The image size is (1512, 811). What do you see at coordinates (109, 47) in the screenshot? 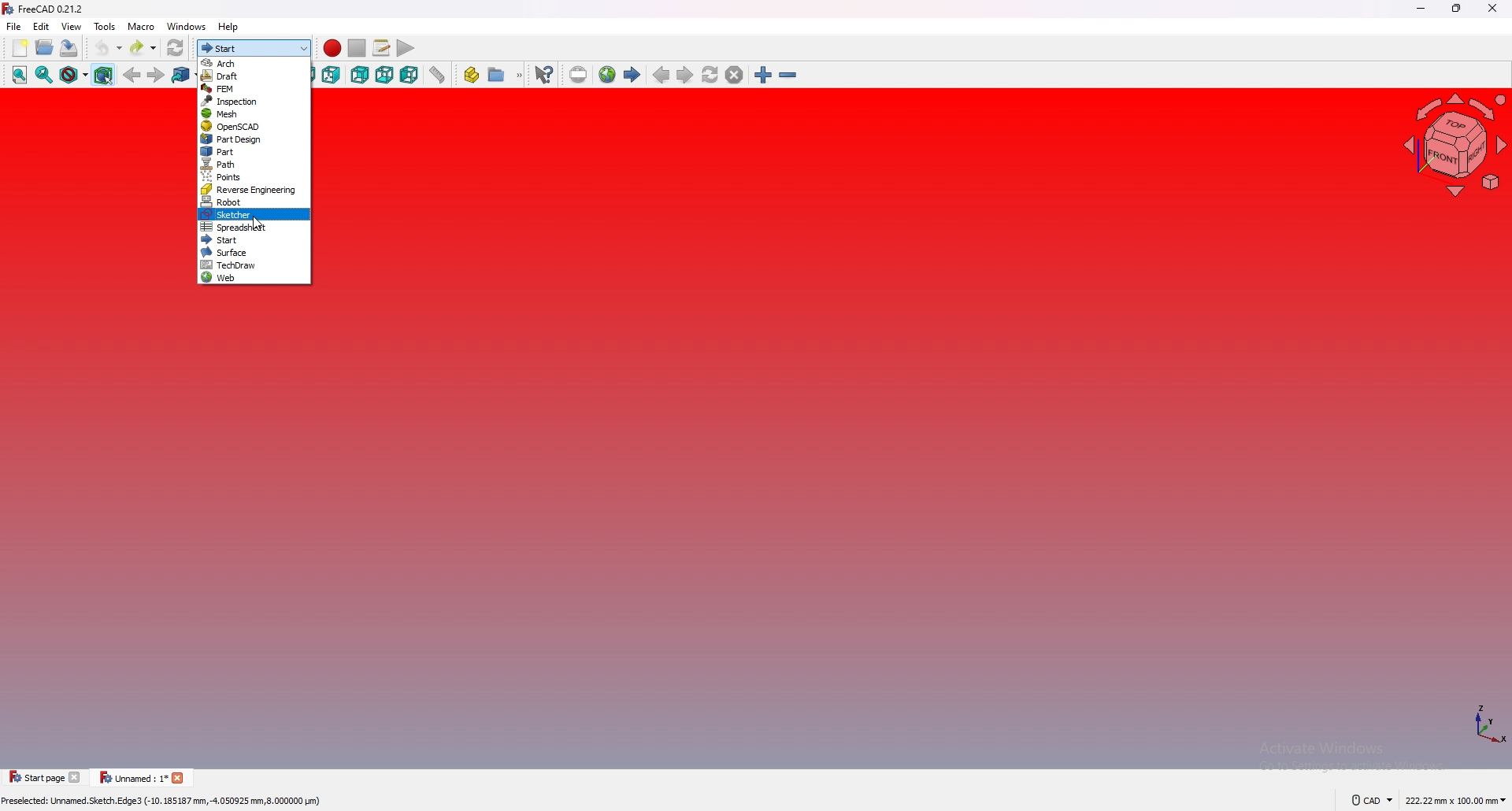
I see `undo` at bounding box center [109, 47].